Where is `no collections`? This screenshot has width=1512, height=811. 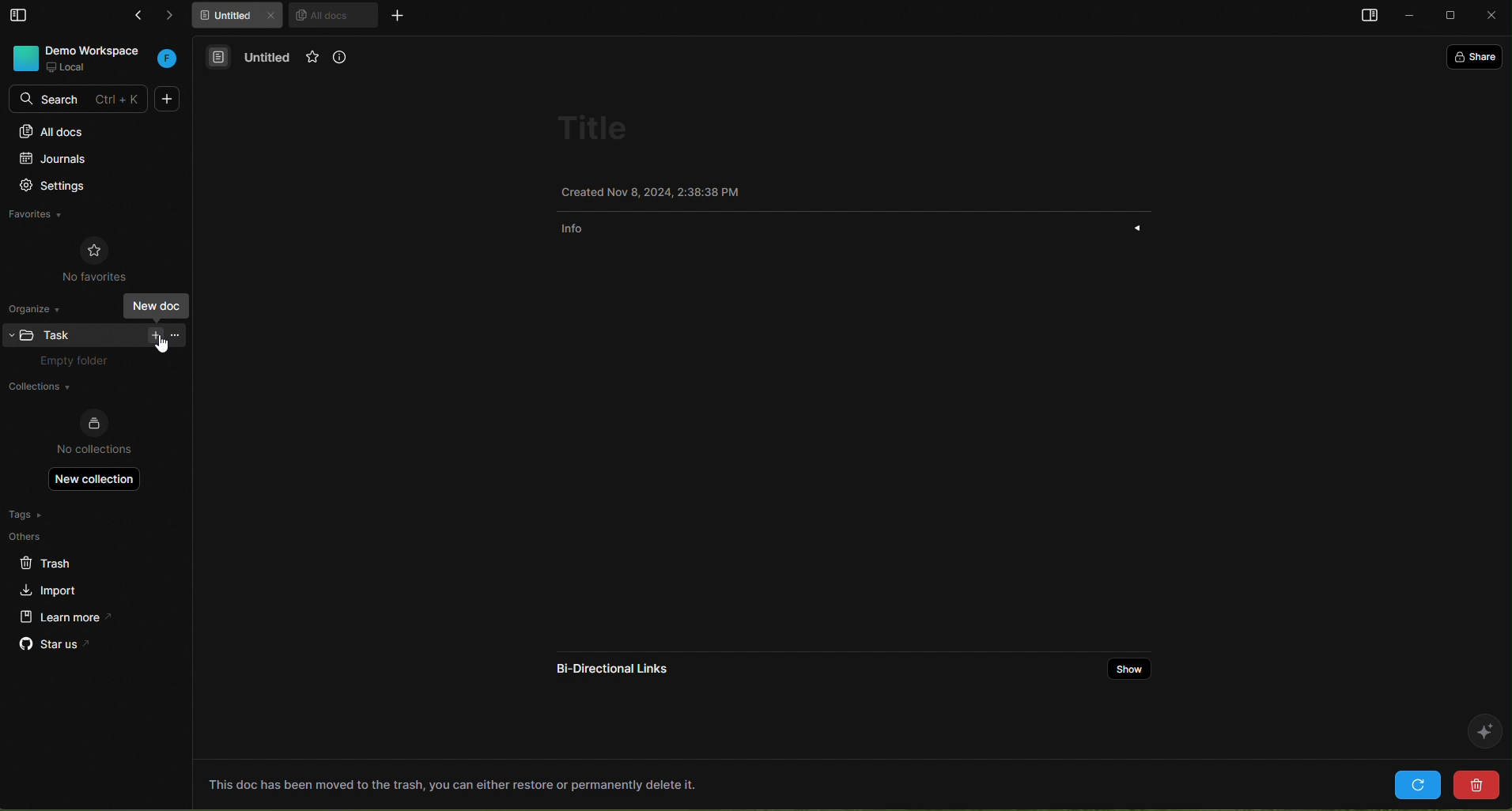
no collections is located at coordinates (94, 434).